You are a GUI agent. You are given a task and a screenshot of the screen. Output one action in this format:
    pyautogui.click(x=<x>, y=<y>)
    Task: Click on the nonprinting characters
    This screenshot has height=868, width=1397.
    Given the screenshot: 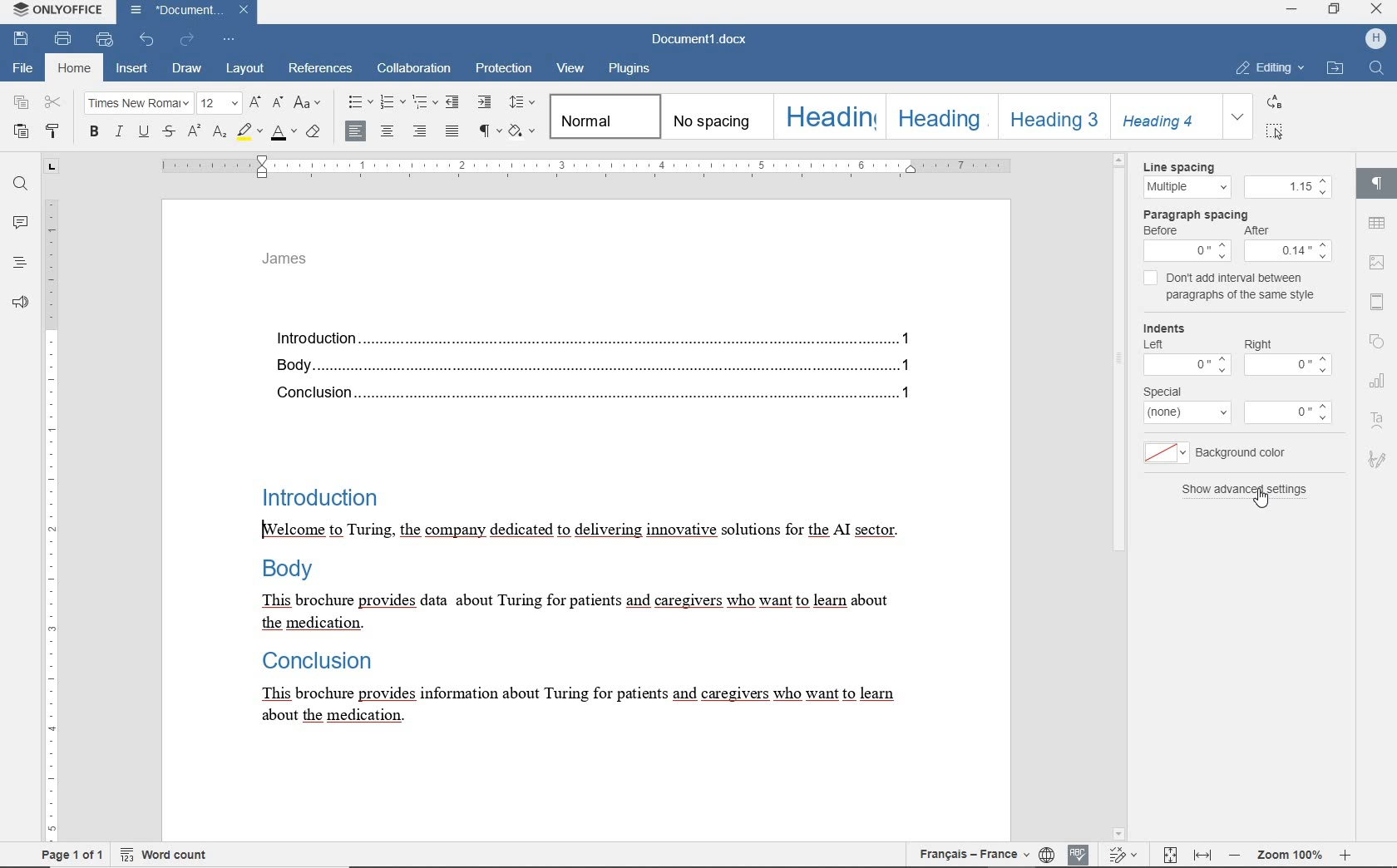 What is the action you would take?
    pyautogui.click(x=488, y=131)
    